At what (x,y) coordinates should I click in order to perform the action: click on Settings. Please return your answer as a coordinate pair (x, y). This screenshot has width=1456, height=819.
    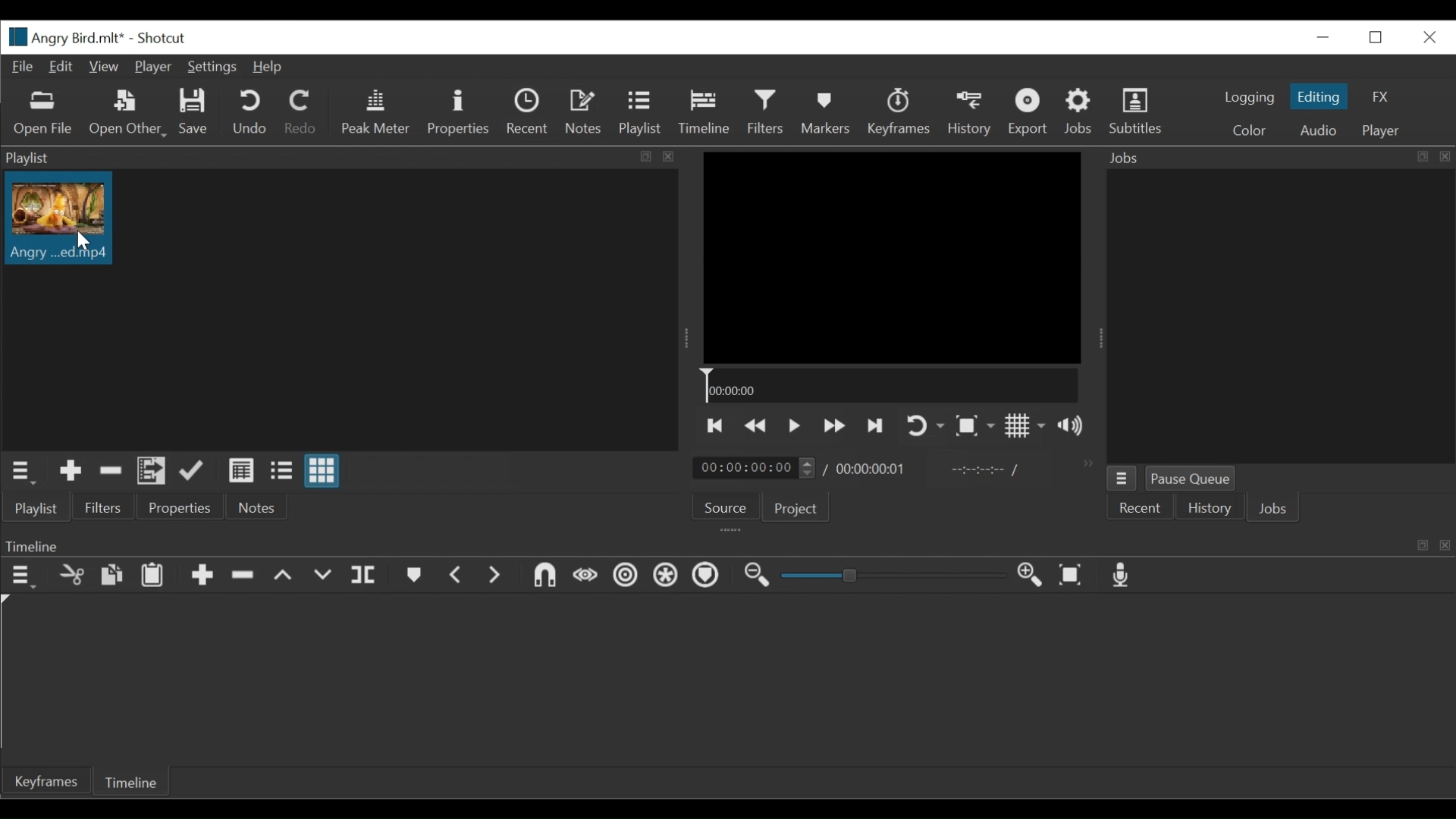
    Looking at the image, I should click on (211, 67).